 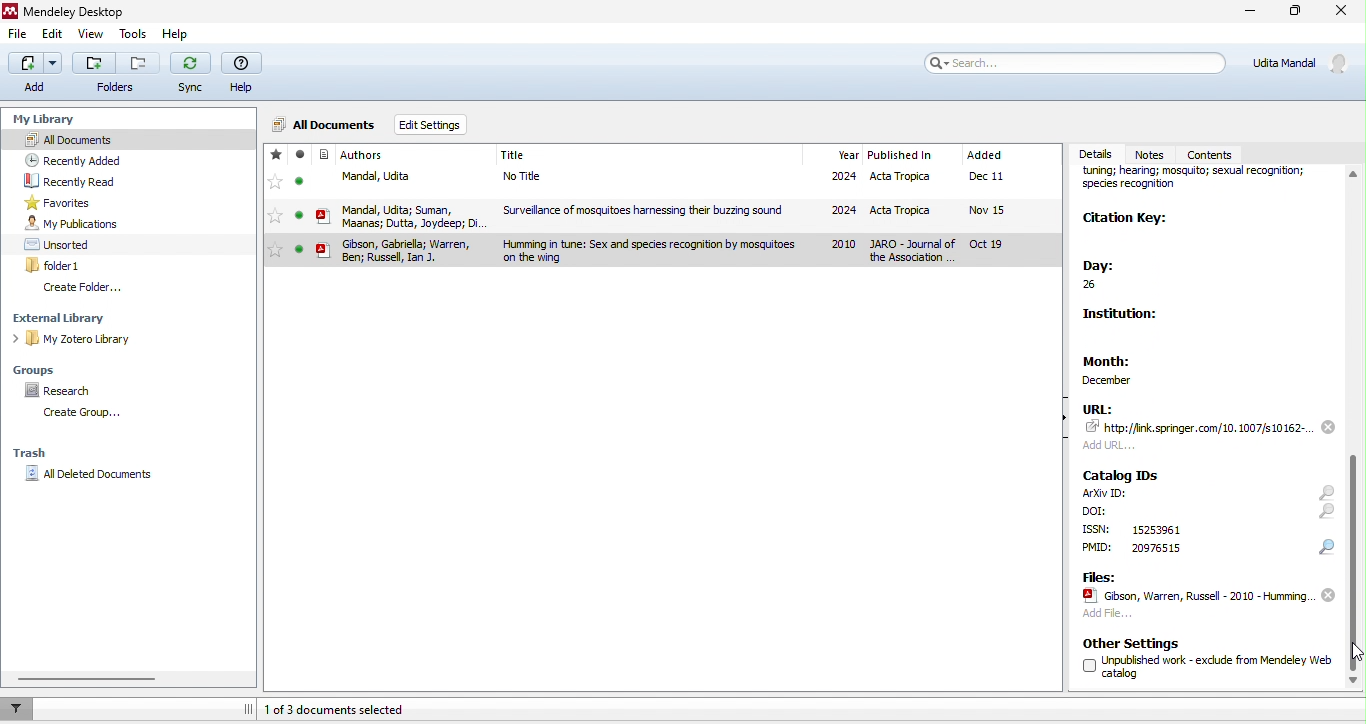 What do you see at coordinates (183, 36) in the screenshot?
I see `help` at bounding box center [183, 36].